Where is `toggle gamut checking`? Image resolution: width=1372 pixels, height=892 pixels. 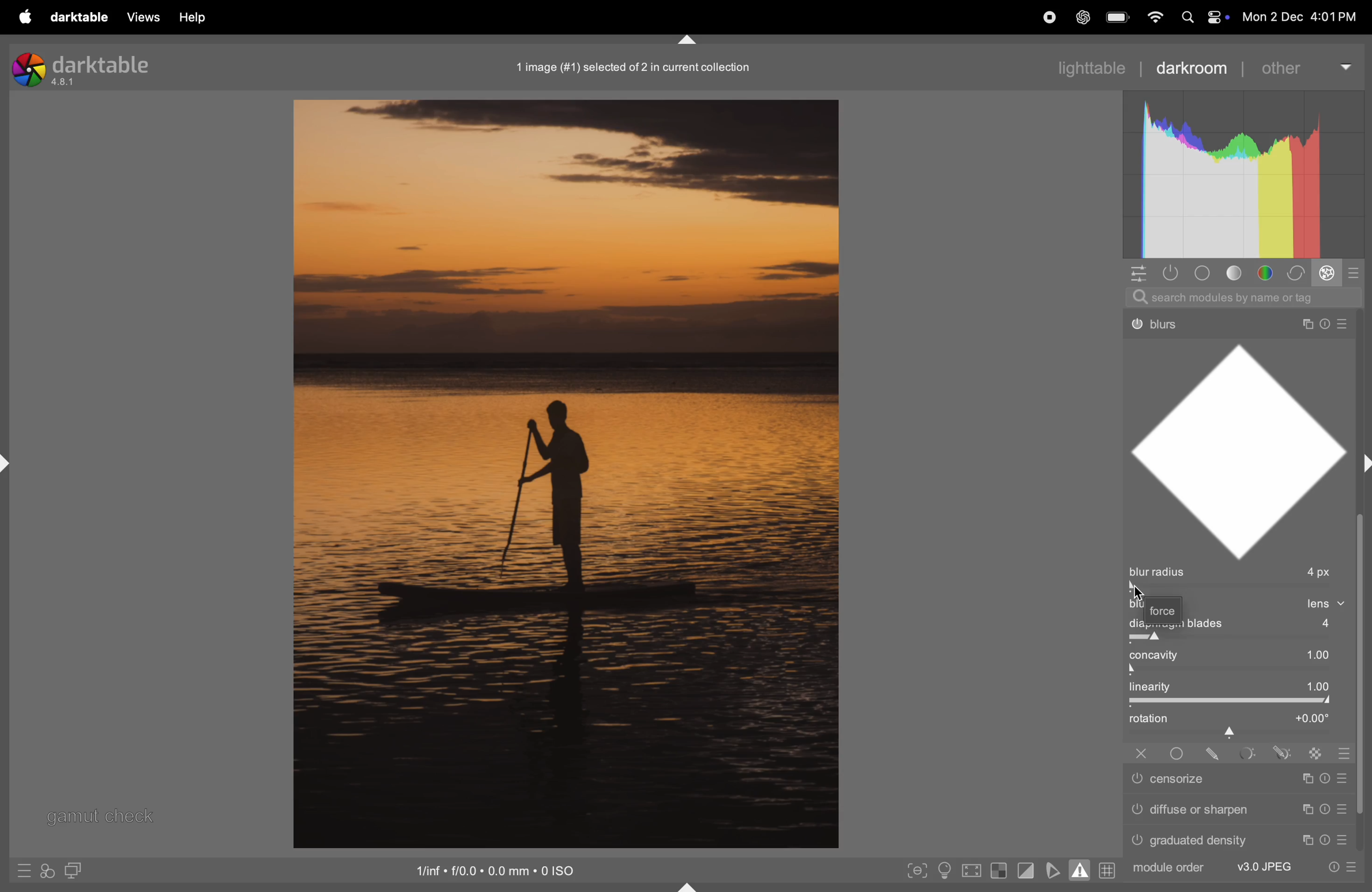
toggle gamut checking is located at coordinates (1081, 869).